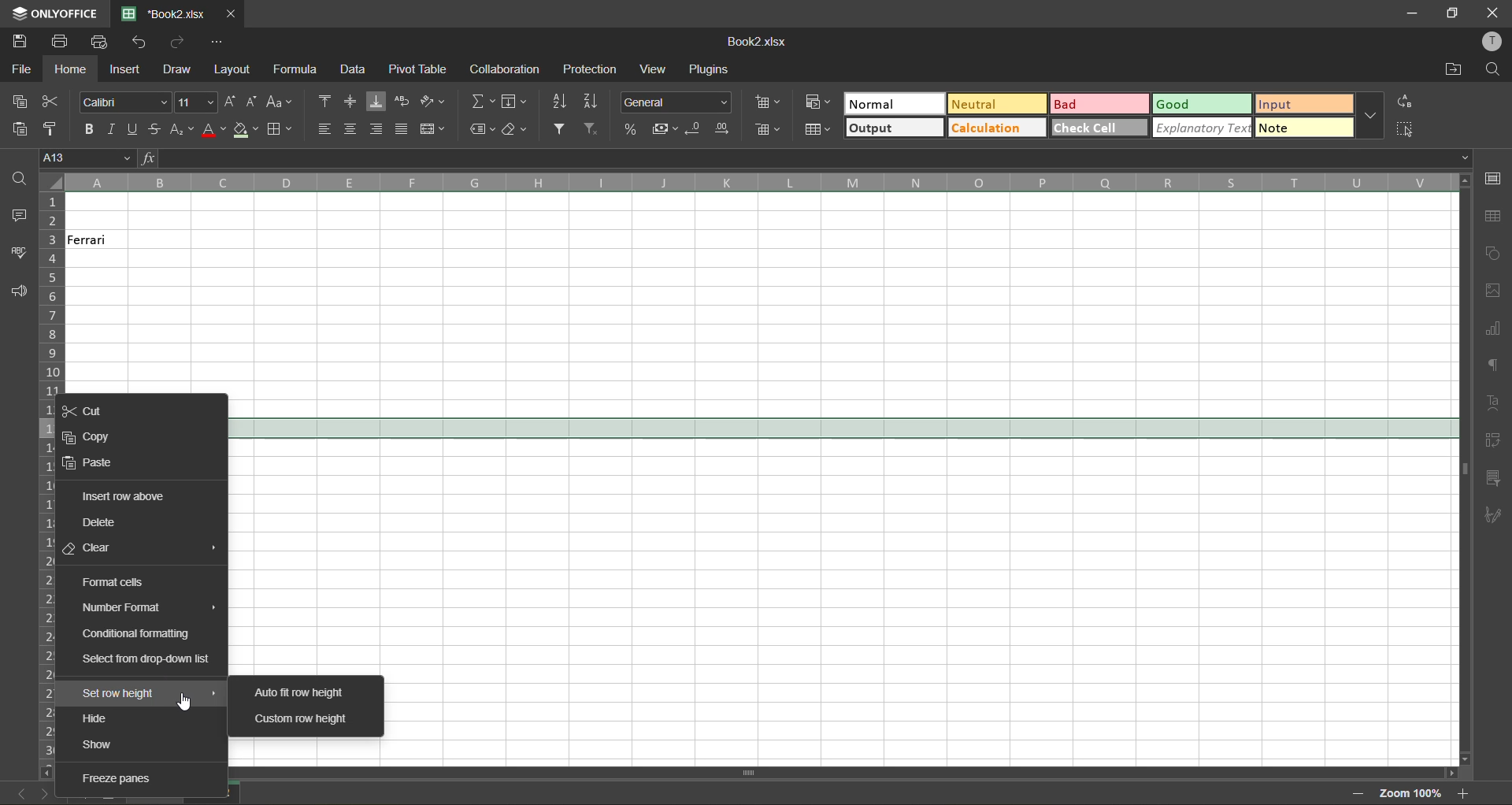 Image resolution: width=1512 pixels, height=805 pixels. Describe the element at coordinates (379, 128) in the screenshot. I see `align right` at that location.